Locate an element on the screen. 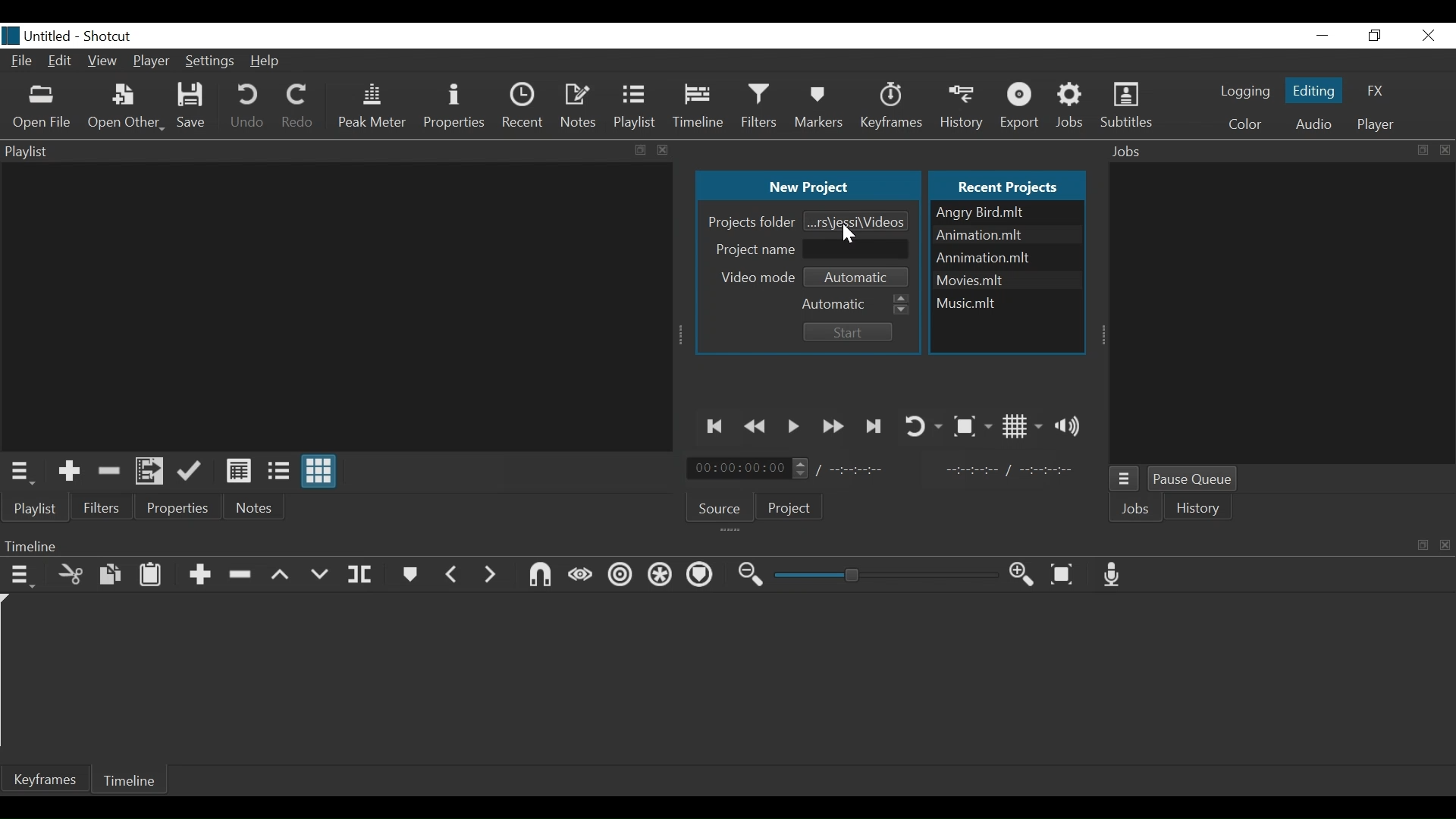 The width and height of the screenshot is (1456, 819). Pause Queue is located at coordinates (1198, 481).